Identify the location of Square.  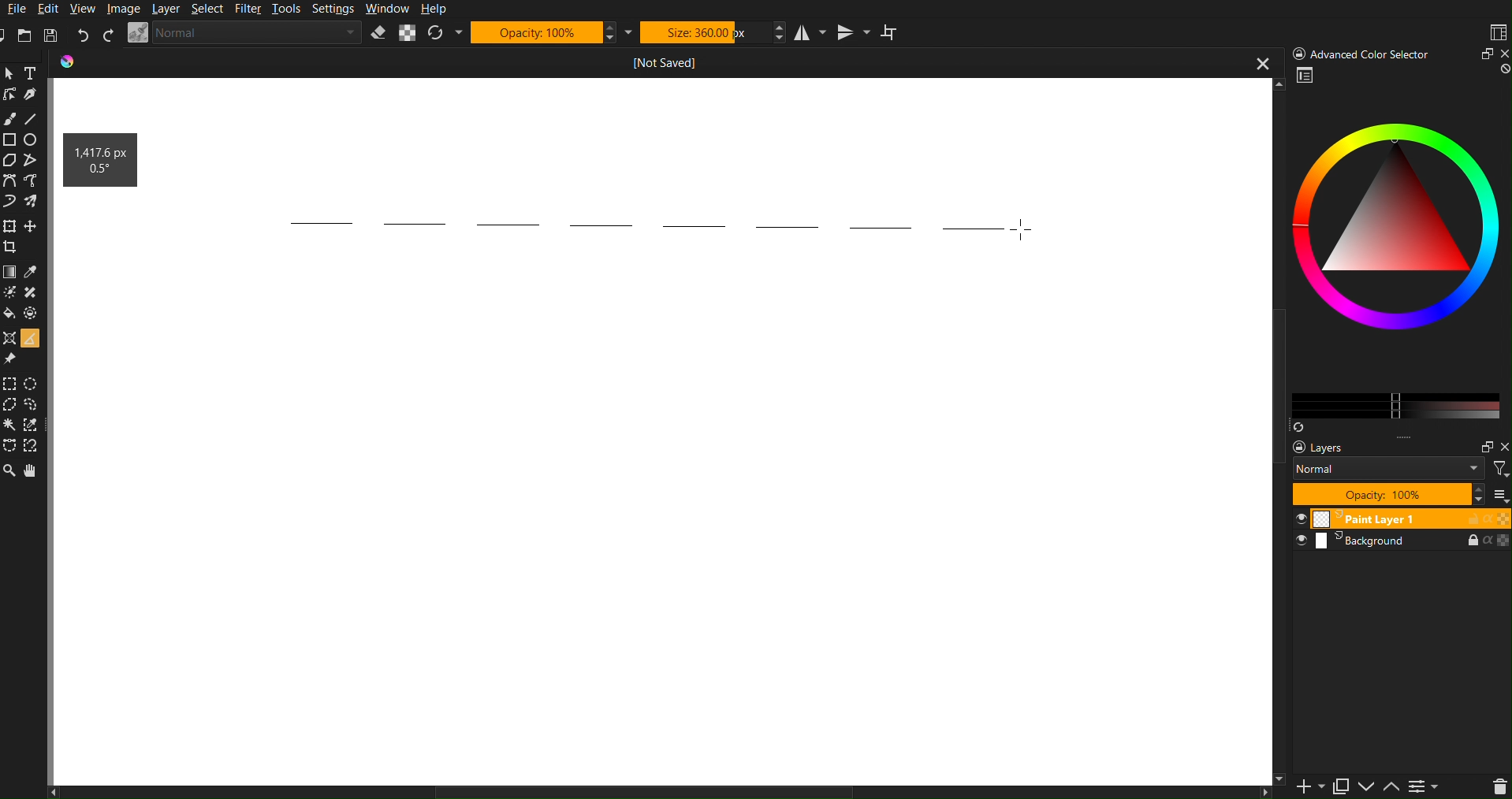
(10, 139).